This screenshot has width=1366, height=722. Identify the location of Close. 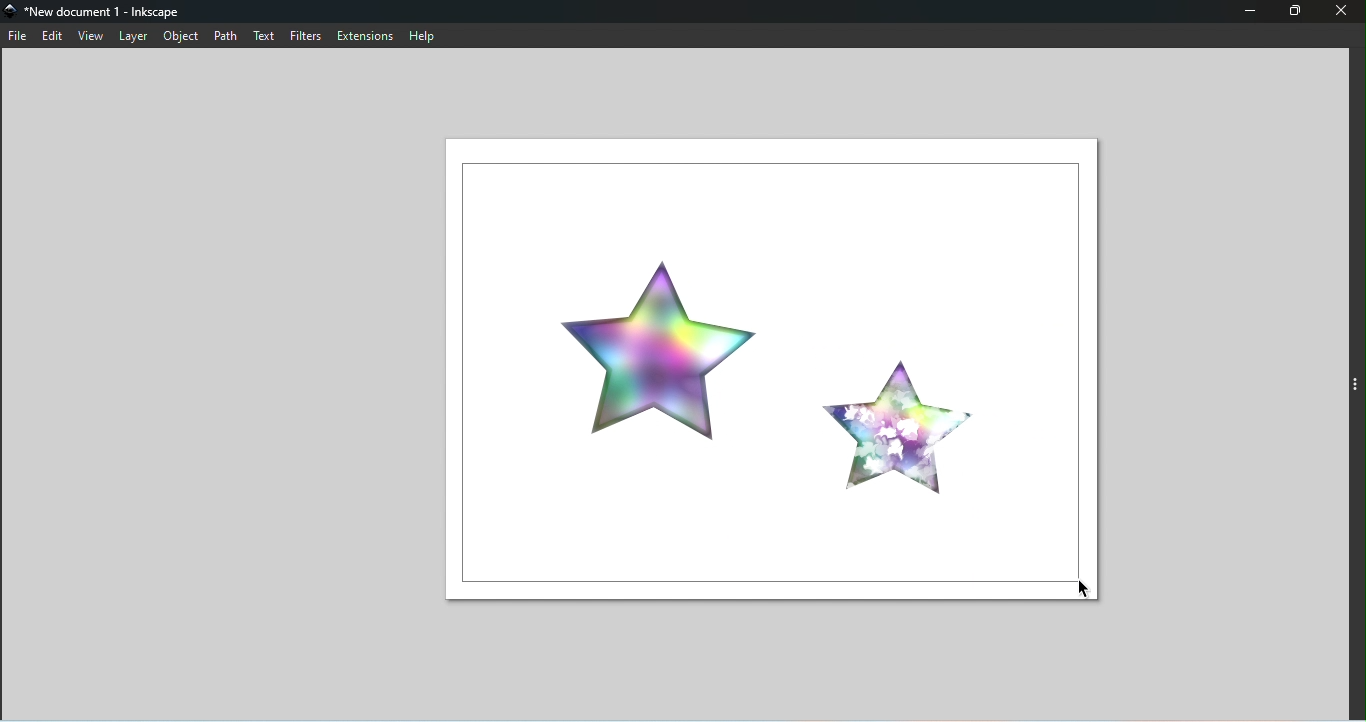
(1342, 12).